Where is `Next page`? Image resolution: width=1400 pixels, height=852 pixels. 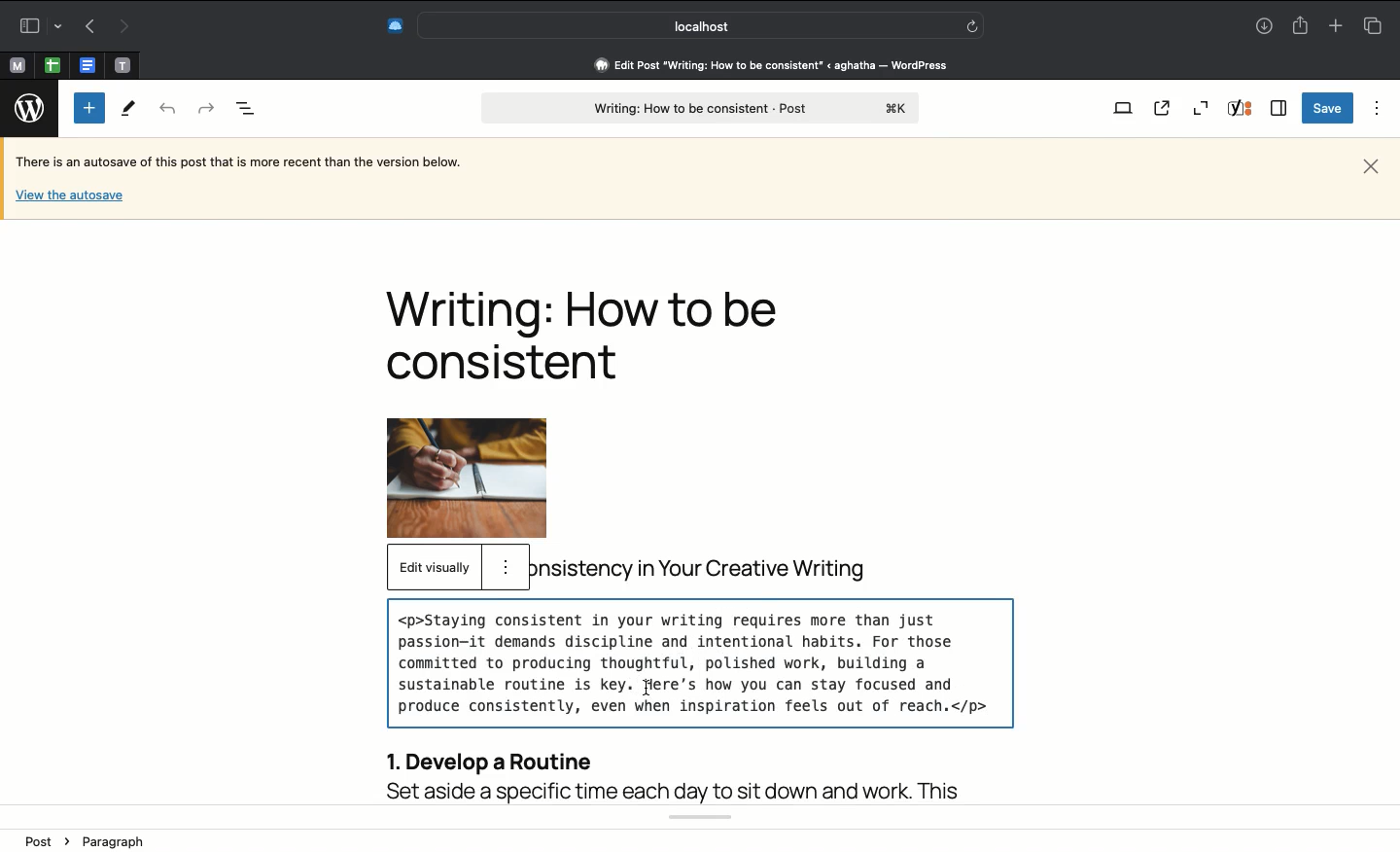 Next page is located at coordinates (126, 25).